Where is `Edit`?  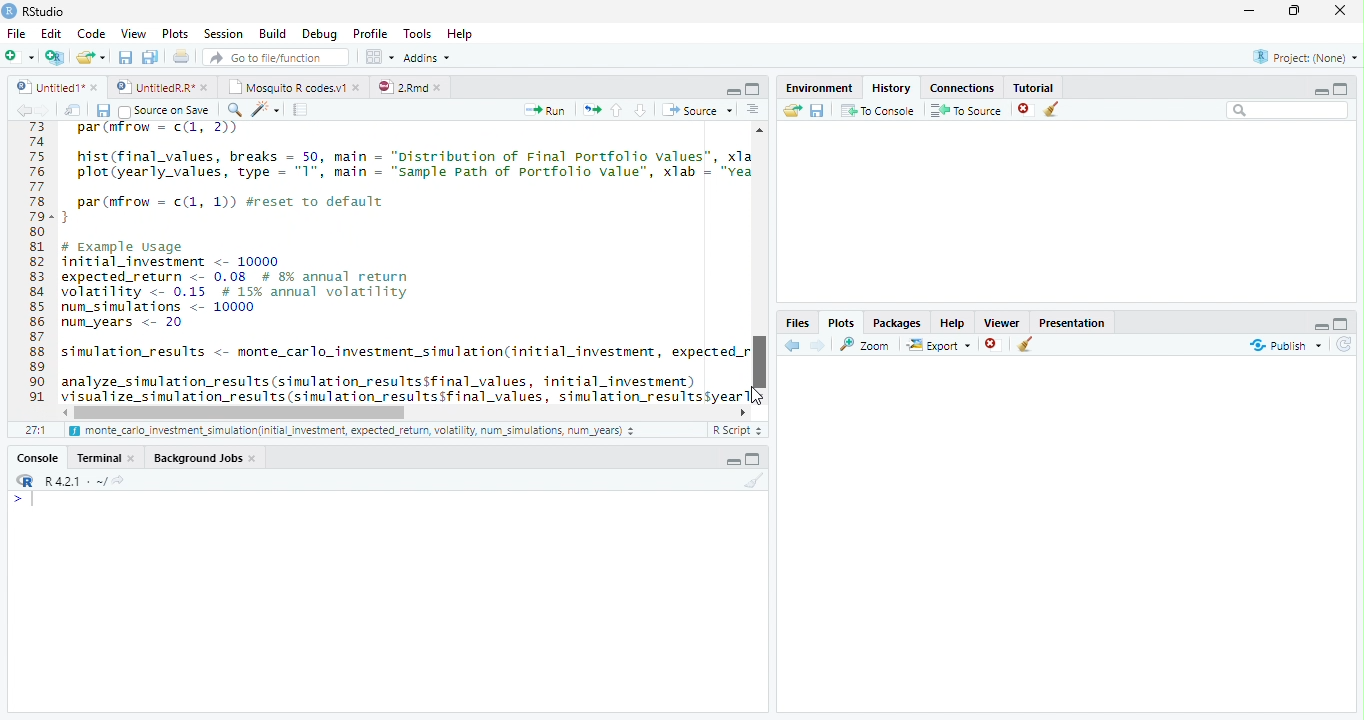
Edit is located at coordinates (50, 32).